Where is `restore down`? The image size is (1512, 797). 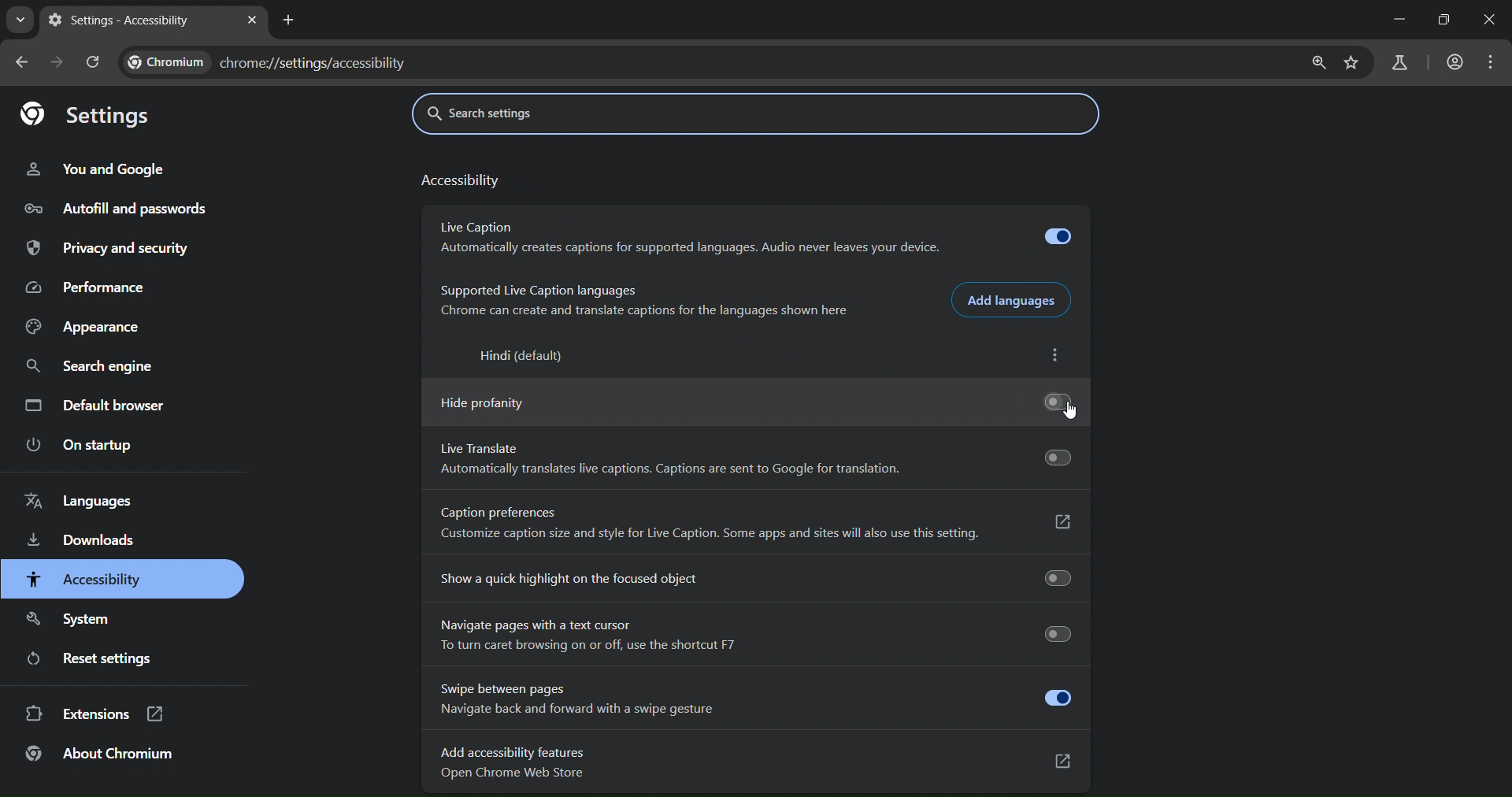
restore down is located at coordinates (1447, 20).